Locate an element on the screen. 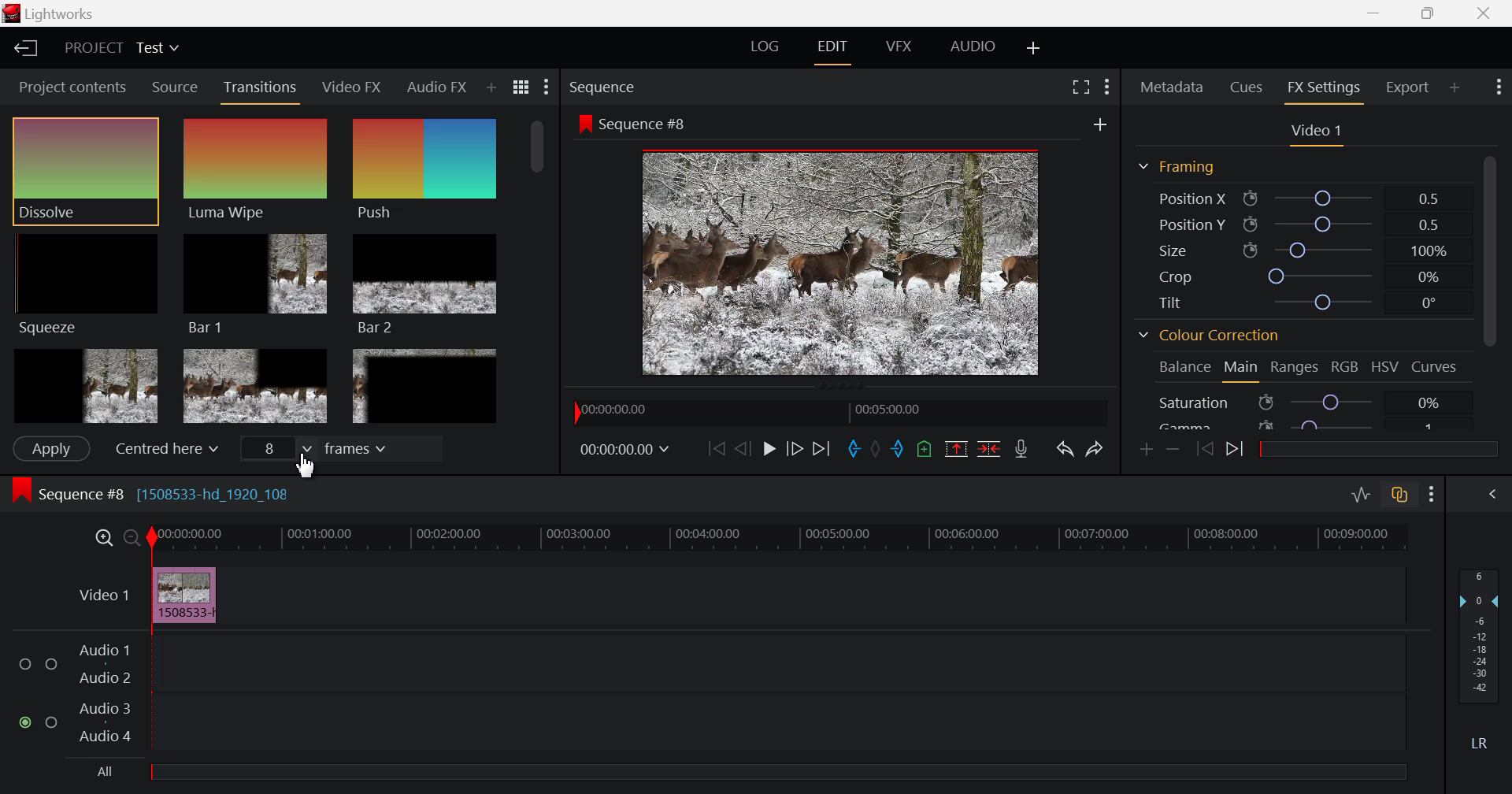 The width and height of the screenshot is (1512, 794). Sequence#8 [1508533-hd_1920_108 is located at coordinates (165, 493).